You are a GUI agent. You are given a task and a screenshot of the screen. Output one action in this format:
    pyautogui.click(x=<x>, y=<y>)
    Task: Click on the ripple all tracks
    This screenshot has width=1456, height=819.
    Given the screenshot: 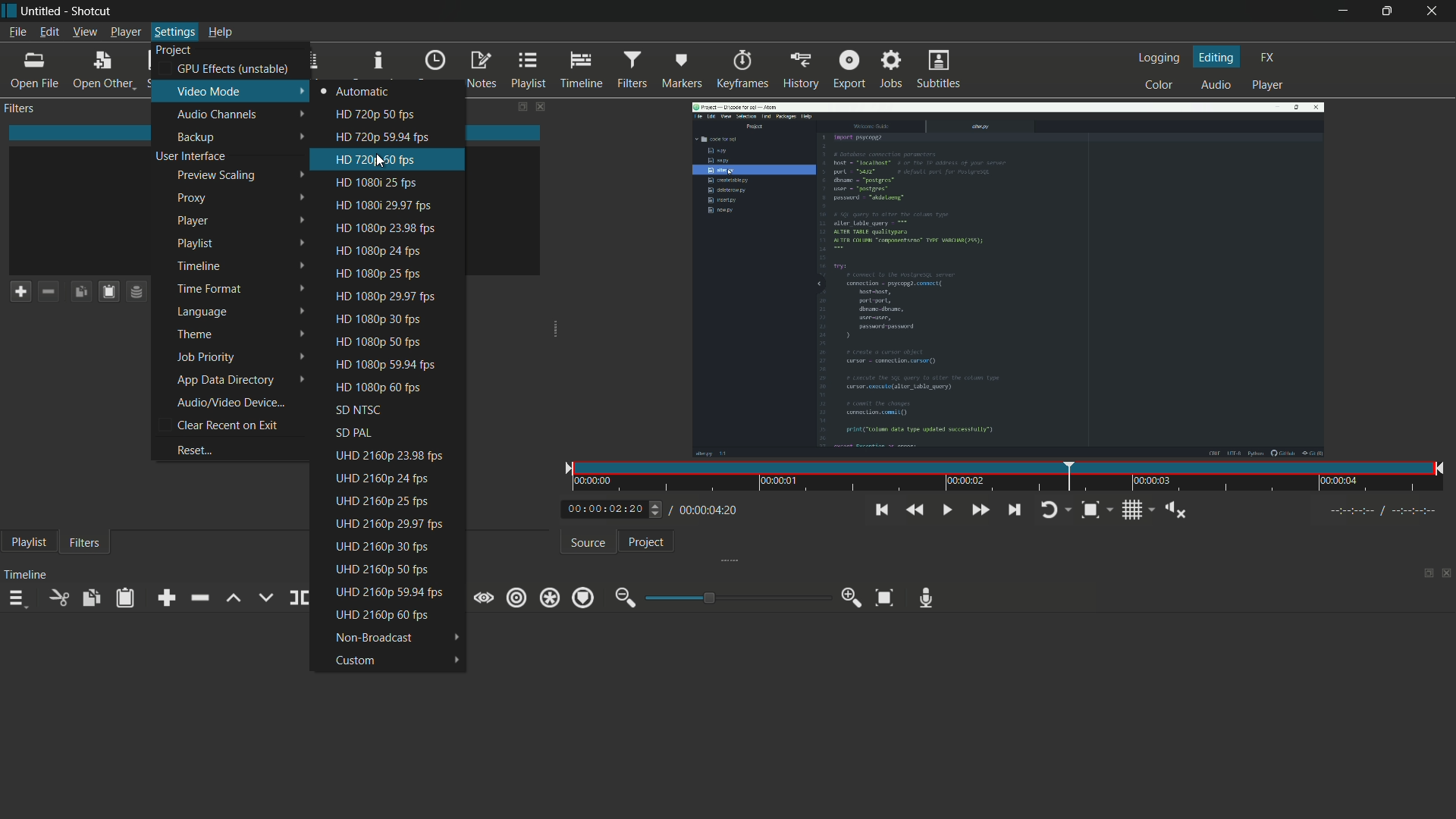 What is the action you would take?
    pyautogui.click(x=548, y=598)
    